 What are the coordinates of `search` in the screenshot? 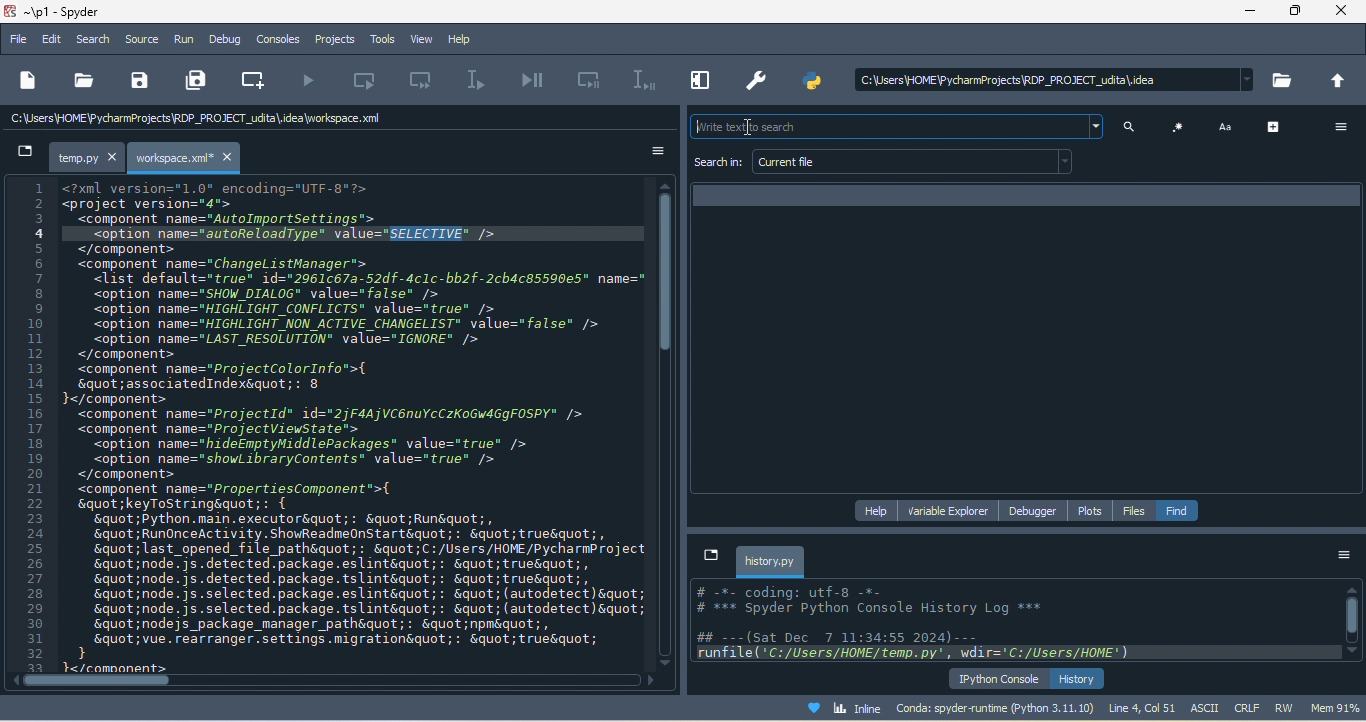 It's located at (1134, 128).